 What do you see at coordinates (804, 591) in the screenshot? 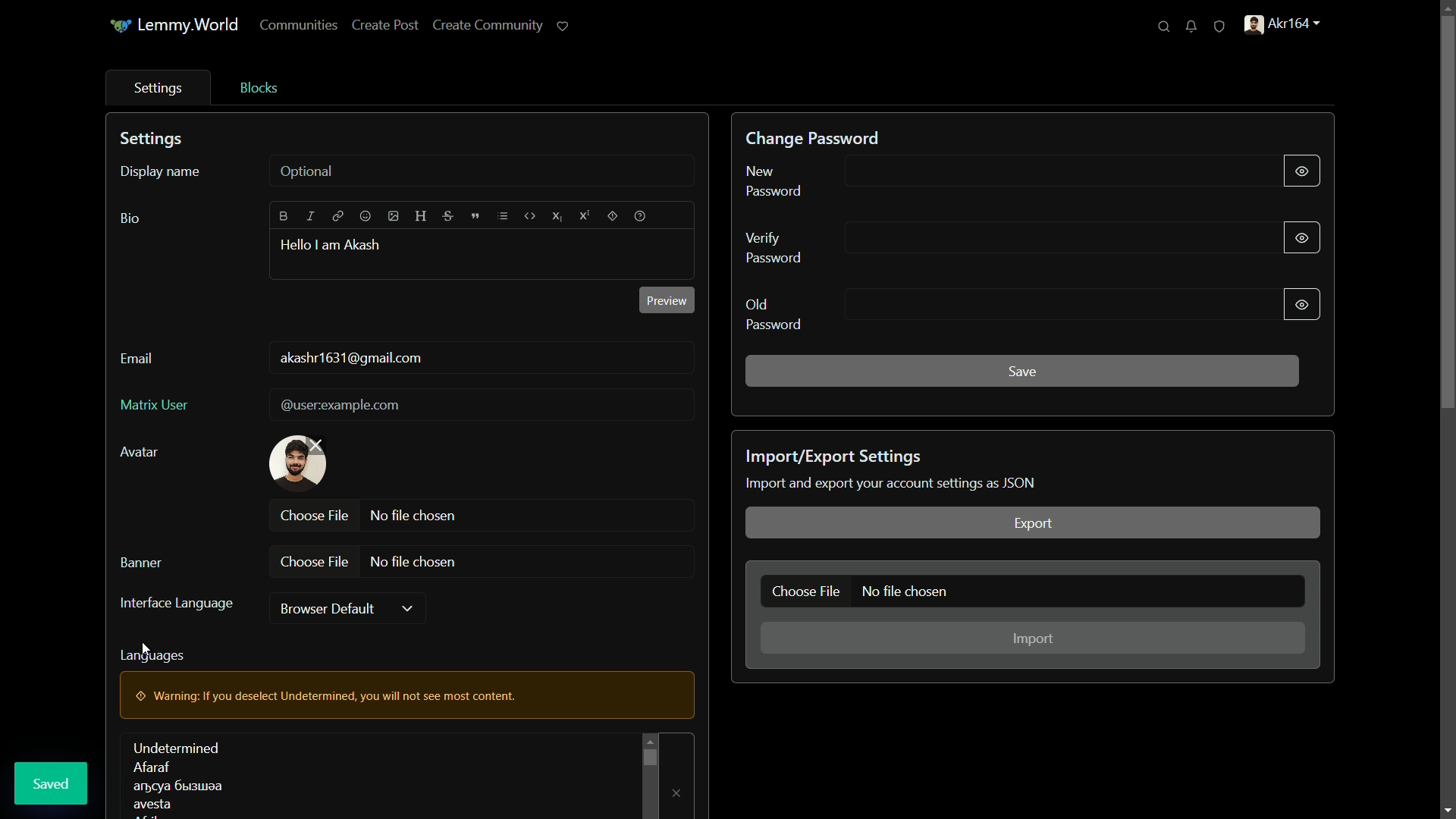
I see `choose file` at bounding box center [804, 591].